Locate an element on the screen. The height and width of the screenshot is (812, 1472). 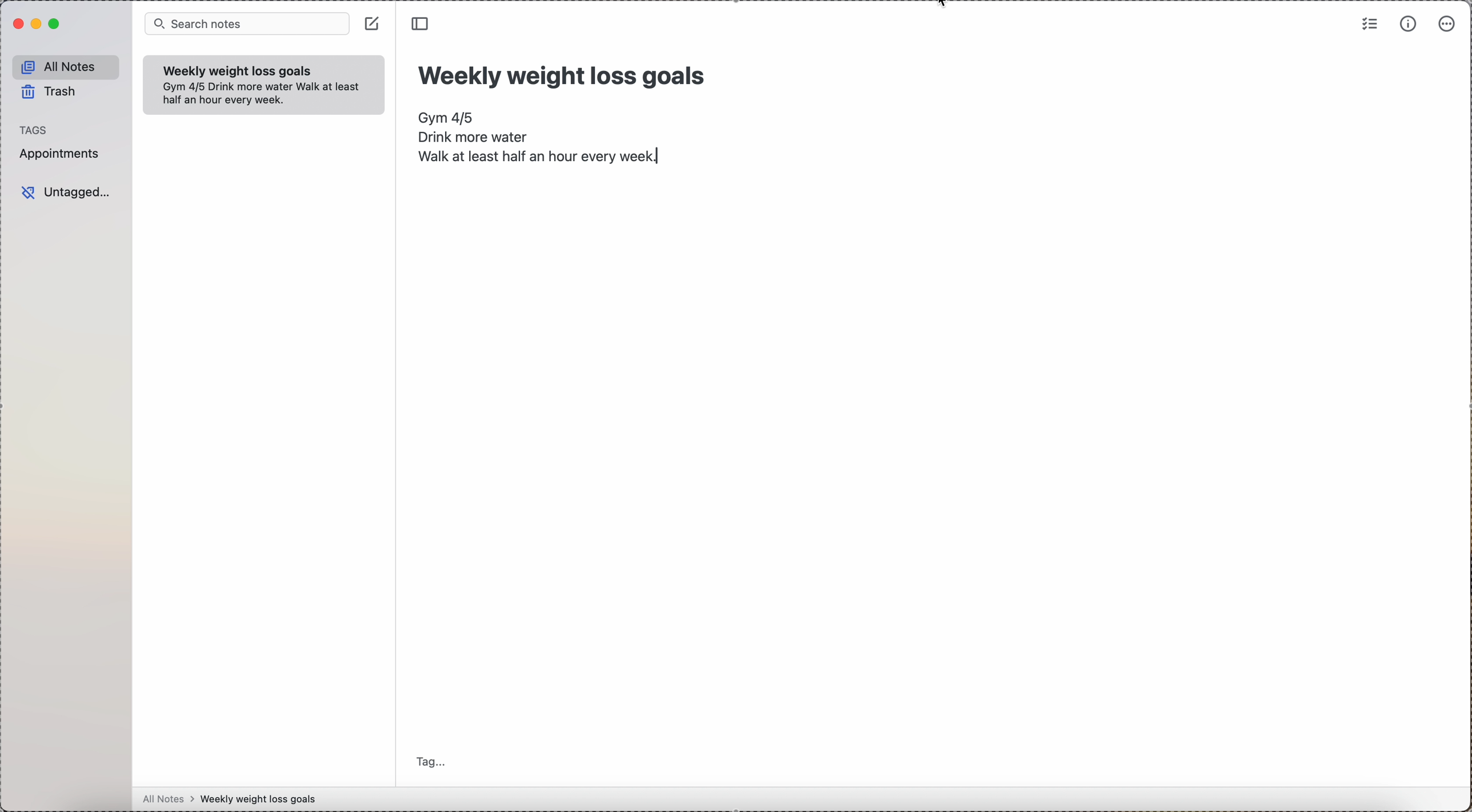
drink more water is located at coordinates (252, 88).